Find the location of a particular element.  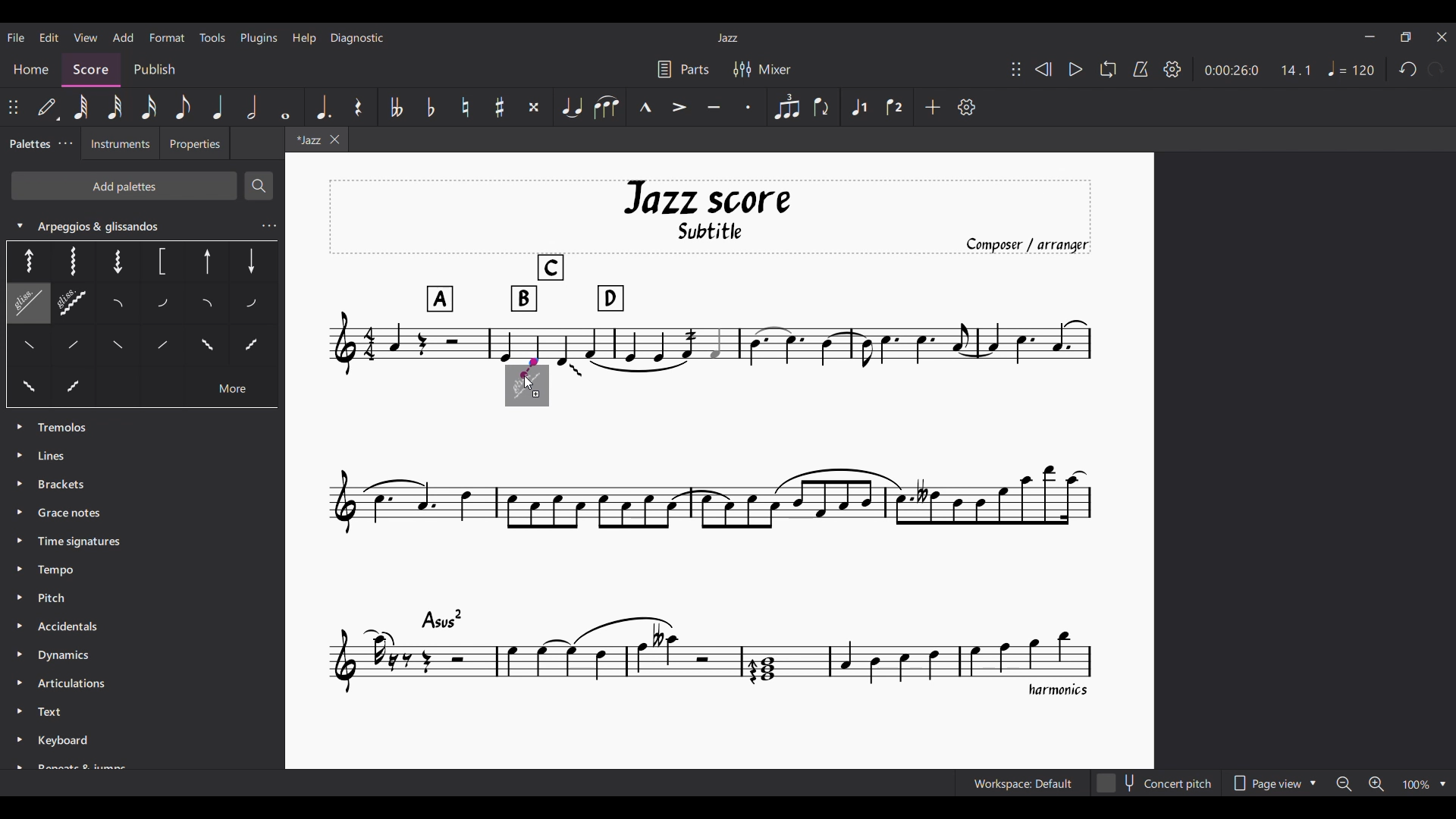

Plate 3 is located at coordinates (115, 260).